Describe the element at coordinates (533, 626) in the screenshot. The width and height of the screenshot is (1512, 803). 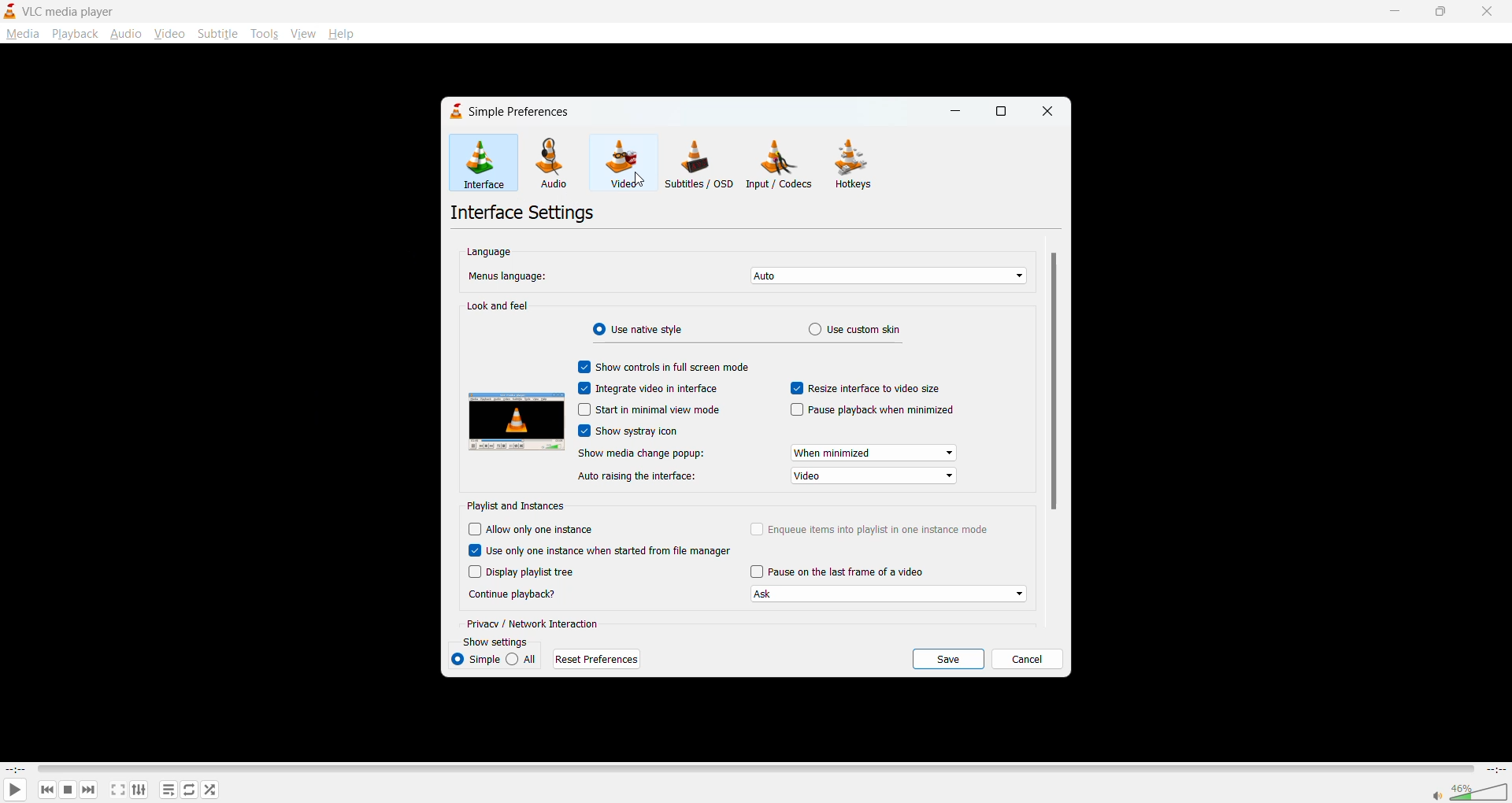
I see `privacy/network interactions` at that location.